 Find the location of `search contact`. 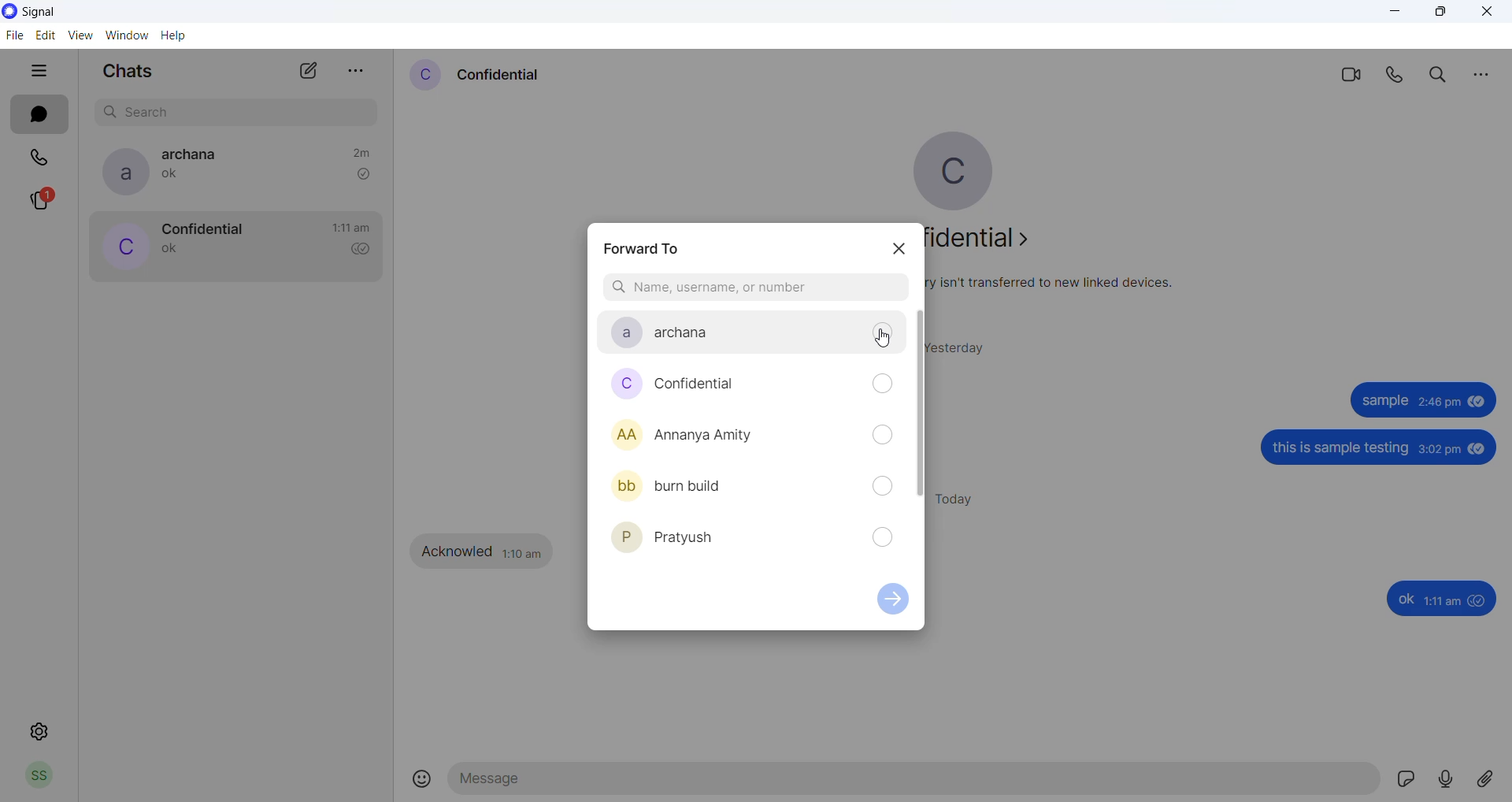

search contact is located at coordinates (754, 288).